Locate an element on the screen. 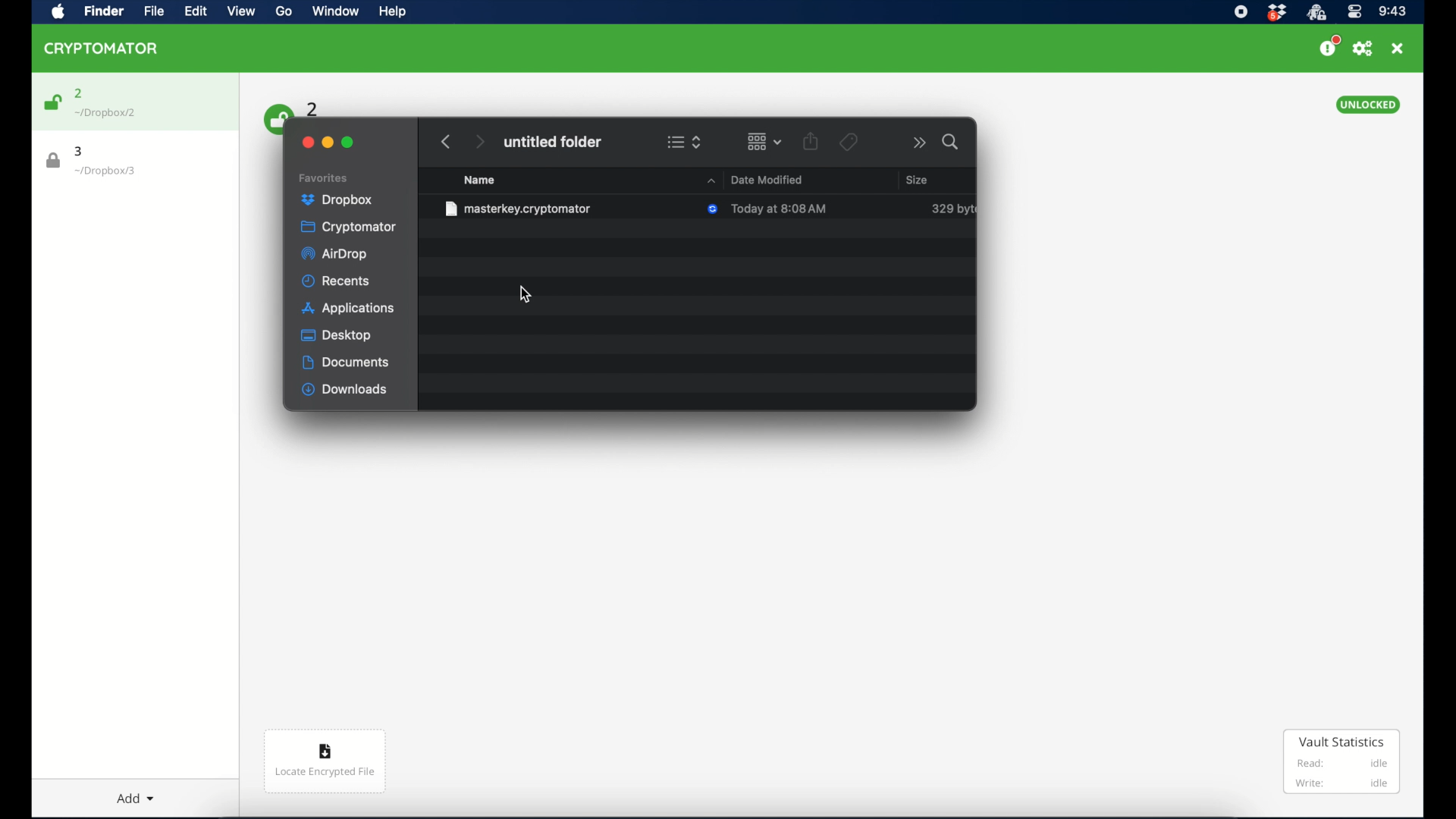 This screenshot has width=1456, height=819. next is located at coordinates (479, 142).